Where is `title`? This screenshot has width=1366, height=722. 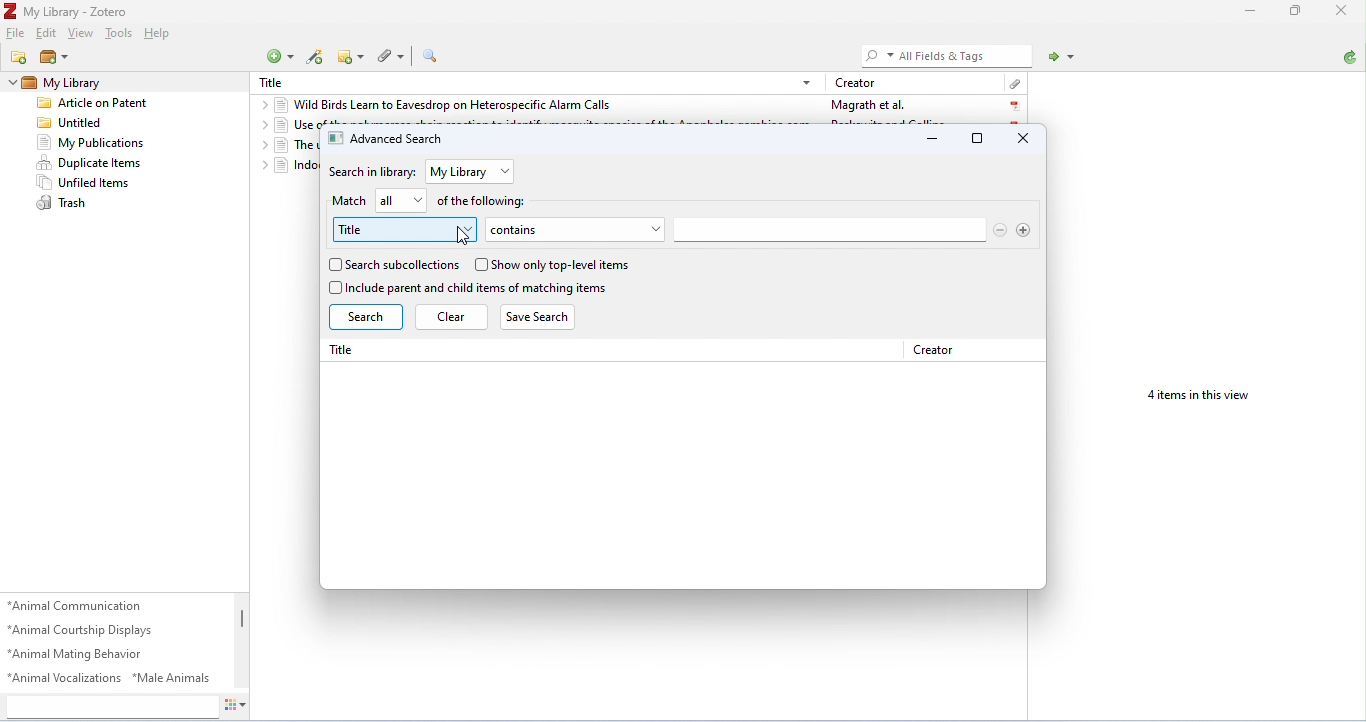
title is located at coordinates (391, 231).